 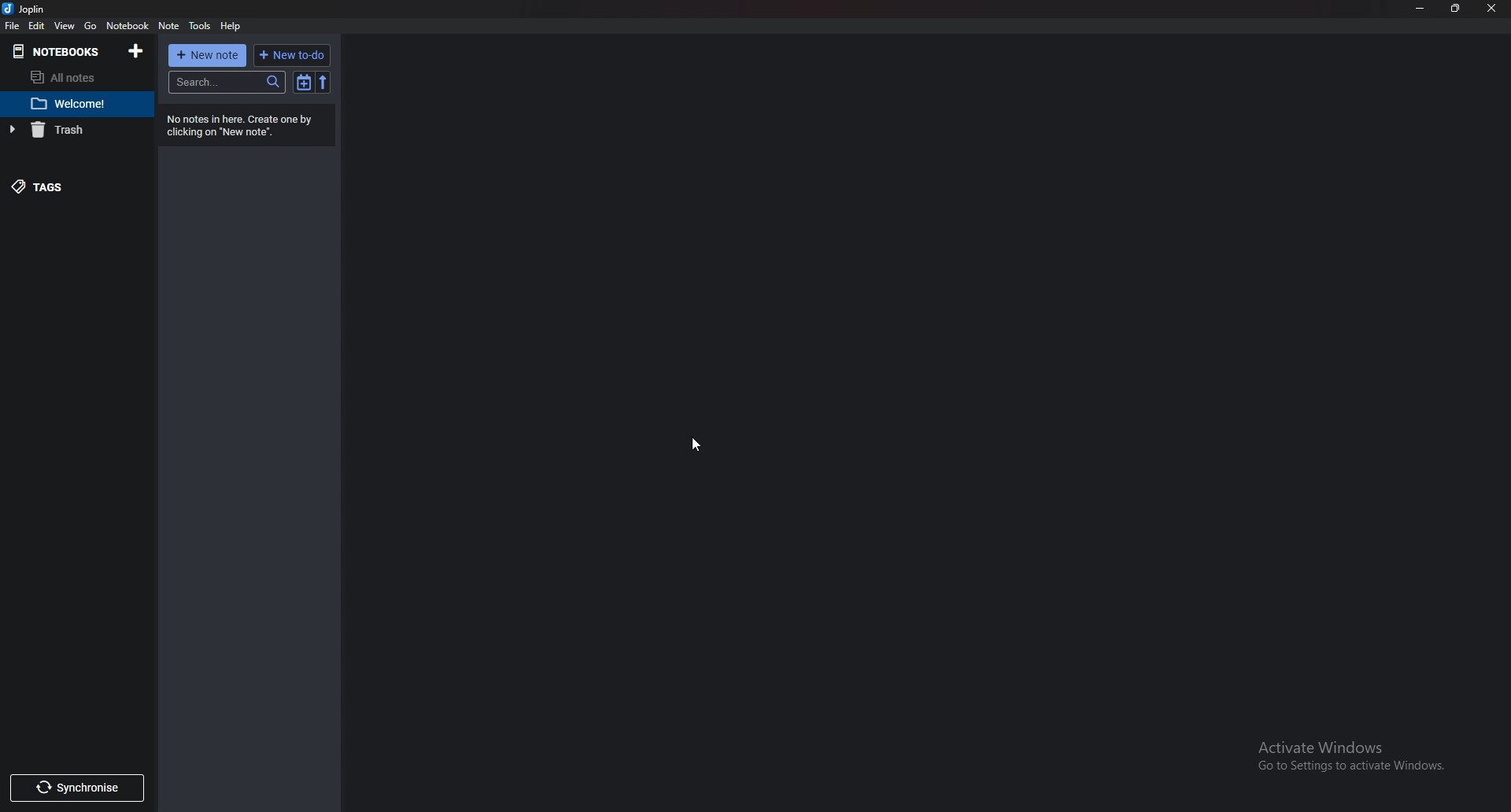 I want to click on file, so click(x=14, y=26).